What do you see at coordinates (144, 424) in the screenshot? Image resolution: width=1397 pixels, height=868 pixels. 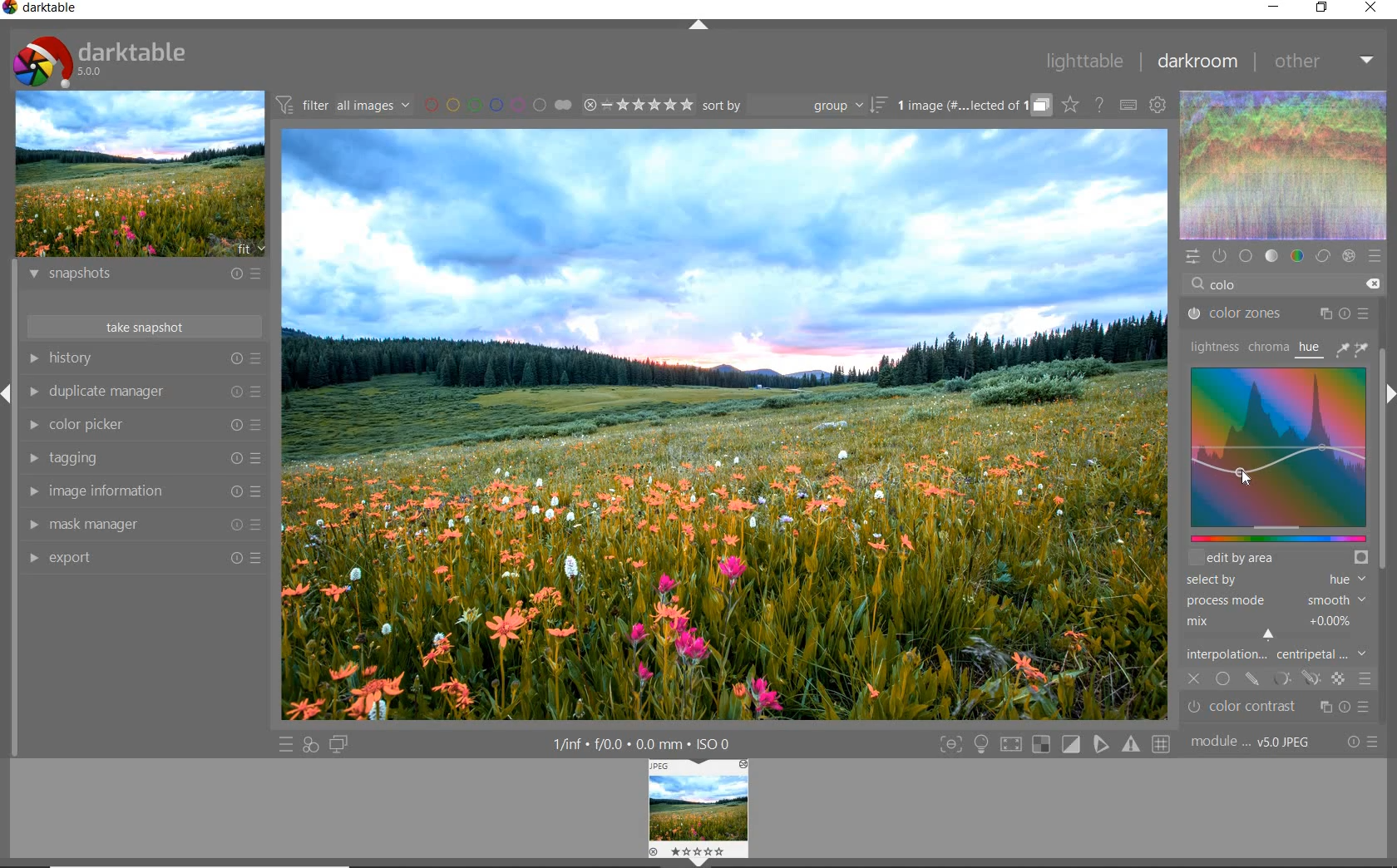 I see `color picker` at bounding box center [144, 424].